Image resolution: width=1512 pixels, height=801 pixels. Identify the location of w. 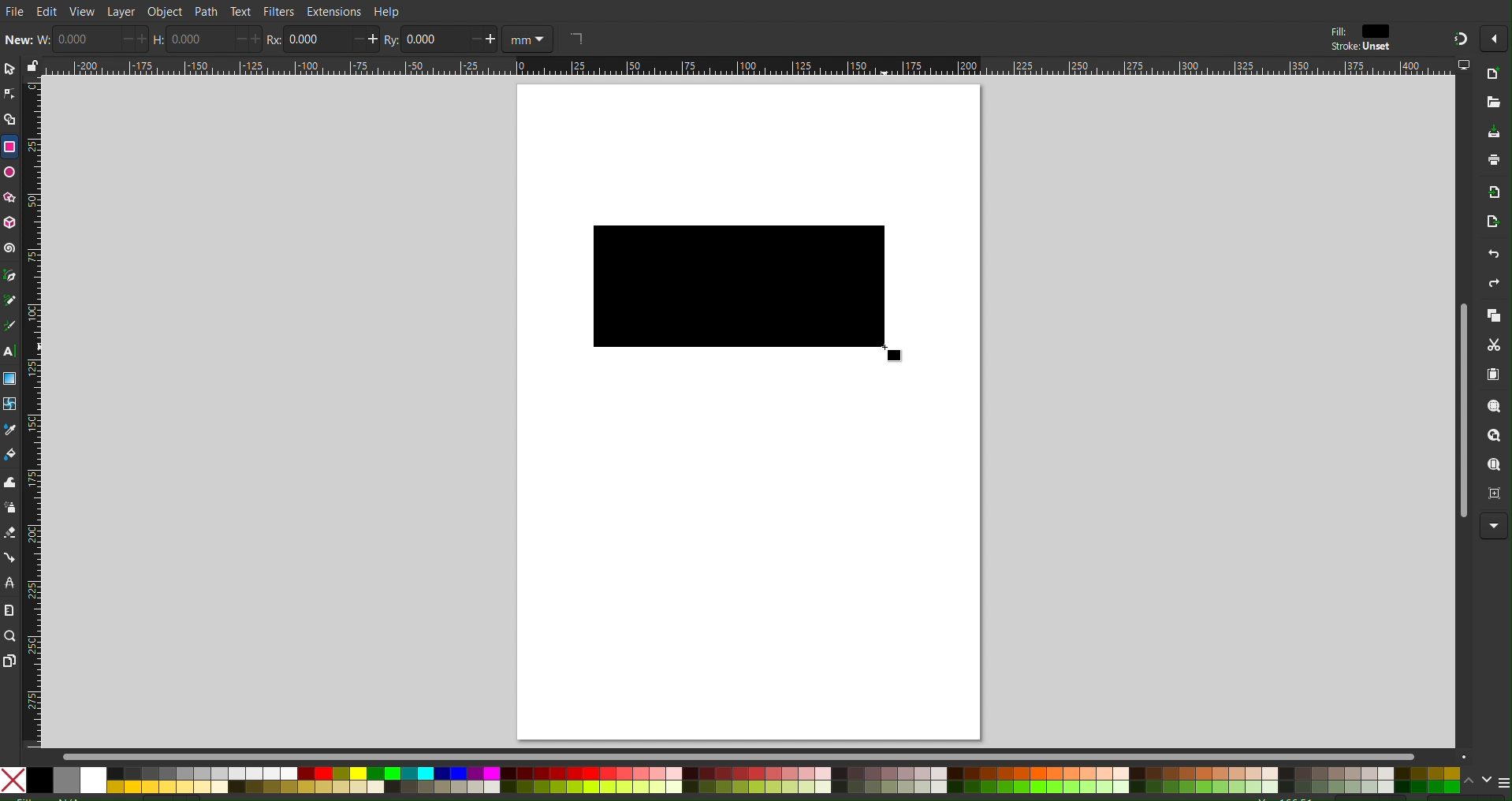
(44, 39).